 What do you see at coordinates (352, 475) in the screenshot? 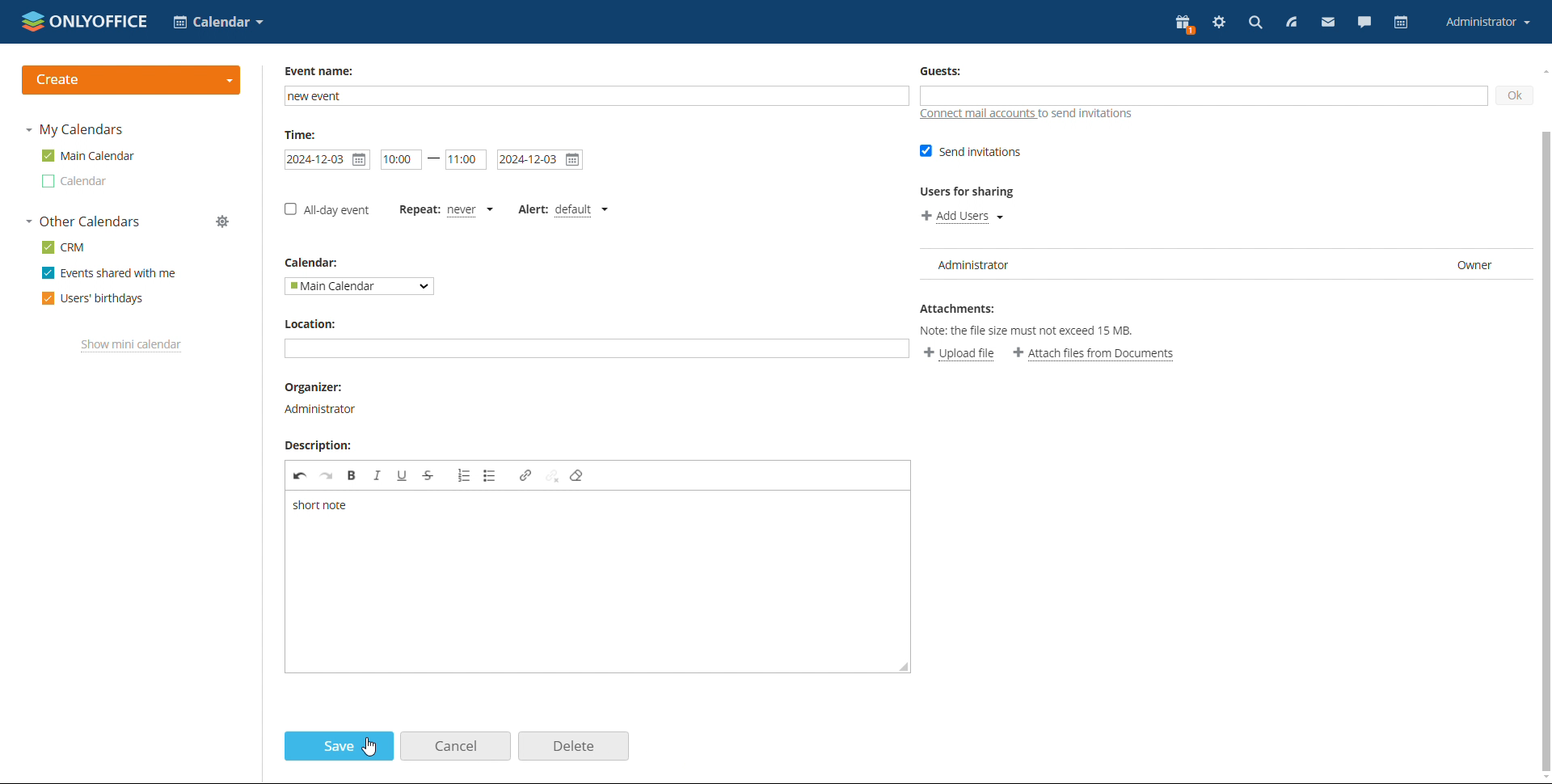
I see `bold` at bounding box center [352, 475].